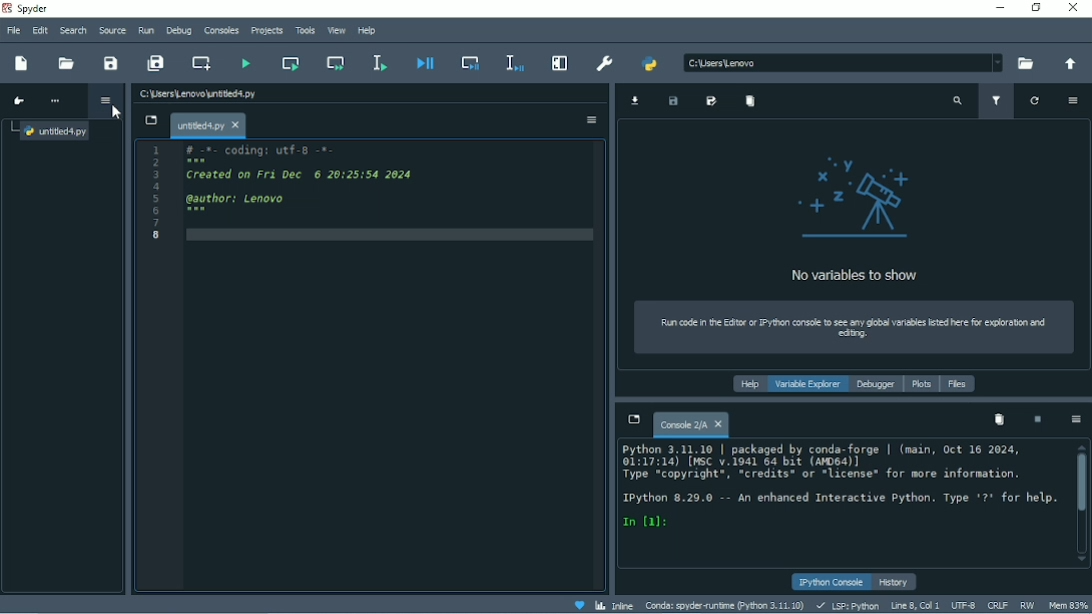 Image resolution: width=1092 pixels, height=614 pixels. I want to click on Options, so click(1076, 420).